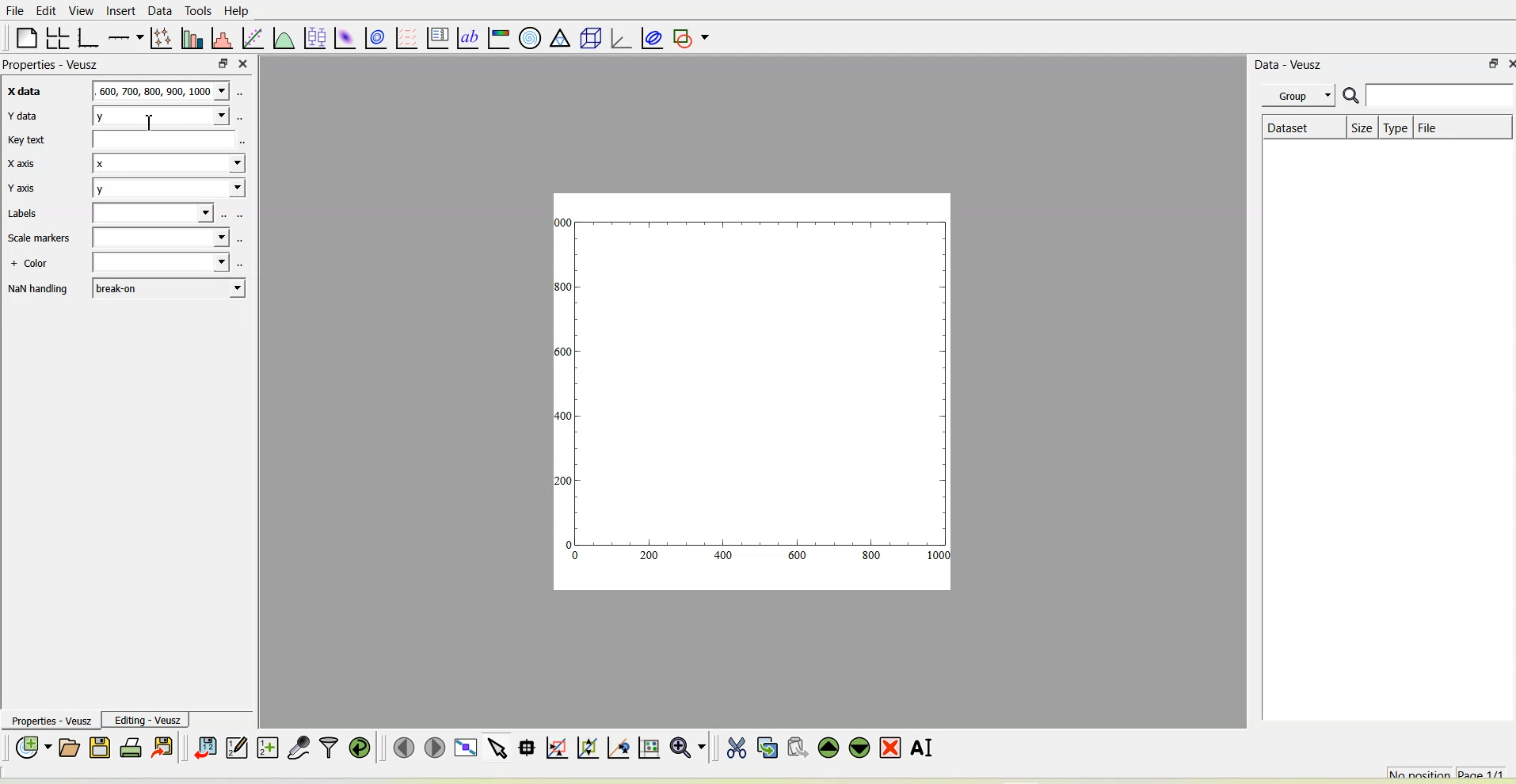 The image size is (1516, 784). I want to click on Key text, so click(29, 140).